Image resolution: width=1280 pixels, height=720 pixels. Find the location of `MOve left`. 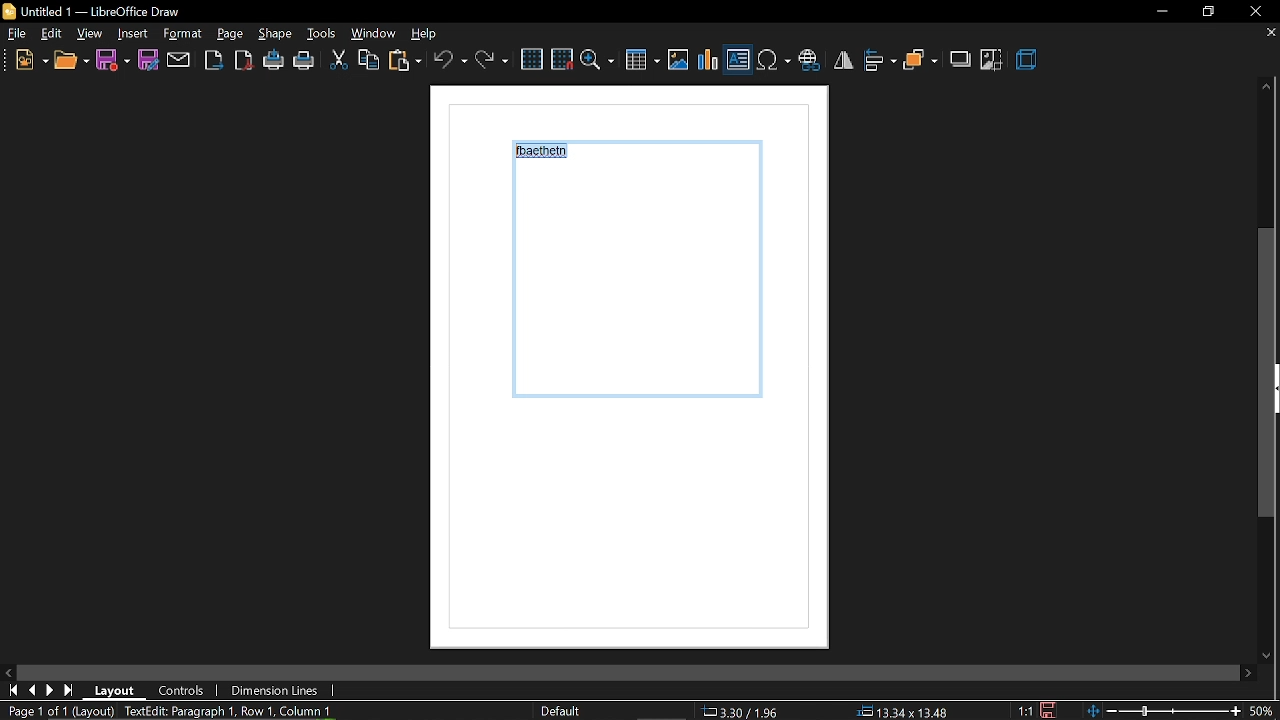

MOve left is located at coordinates (8, 671).